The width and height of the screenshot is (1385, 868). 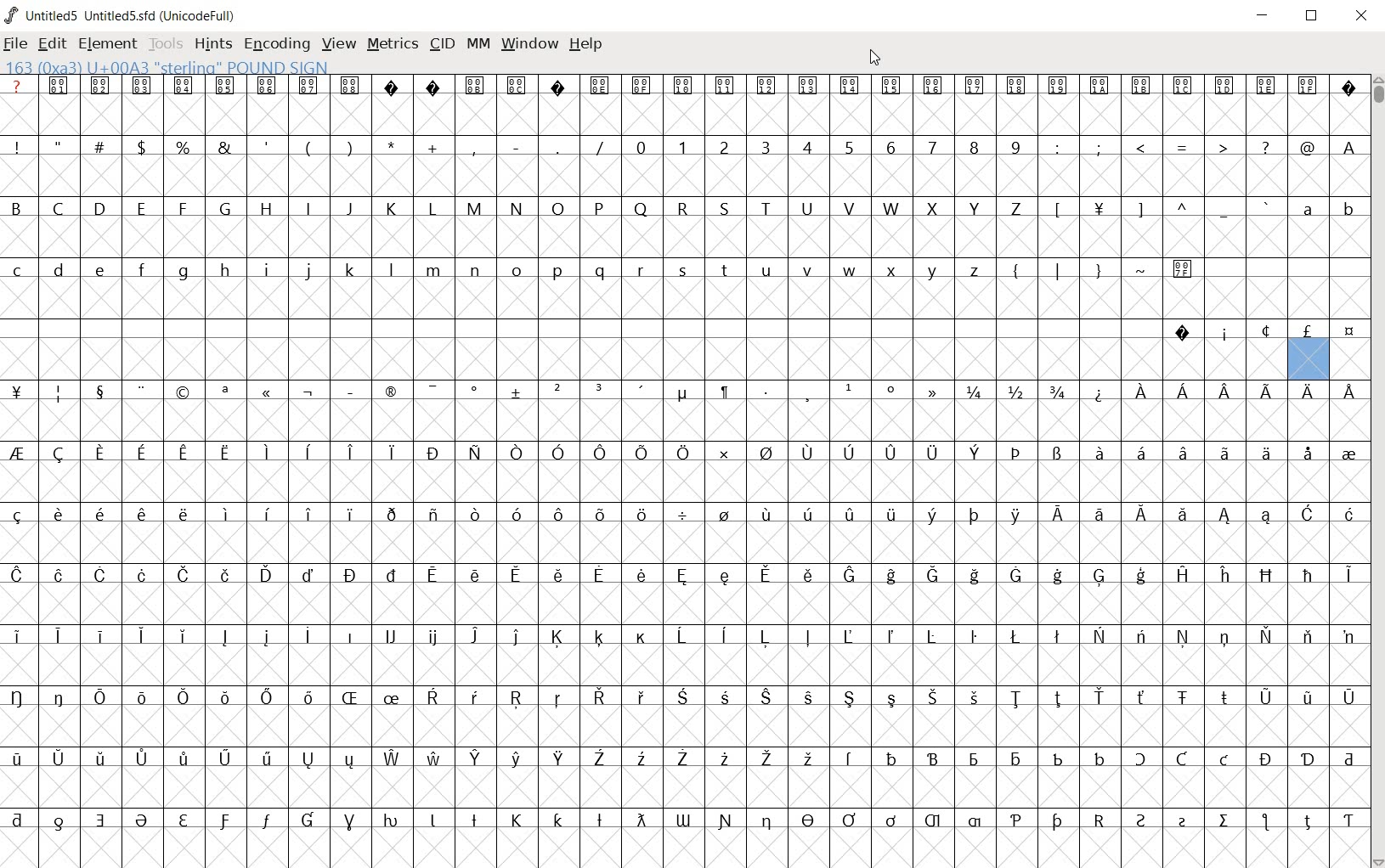 I want to click on Symbol, so click(x=267, y=759).